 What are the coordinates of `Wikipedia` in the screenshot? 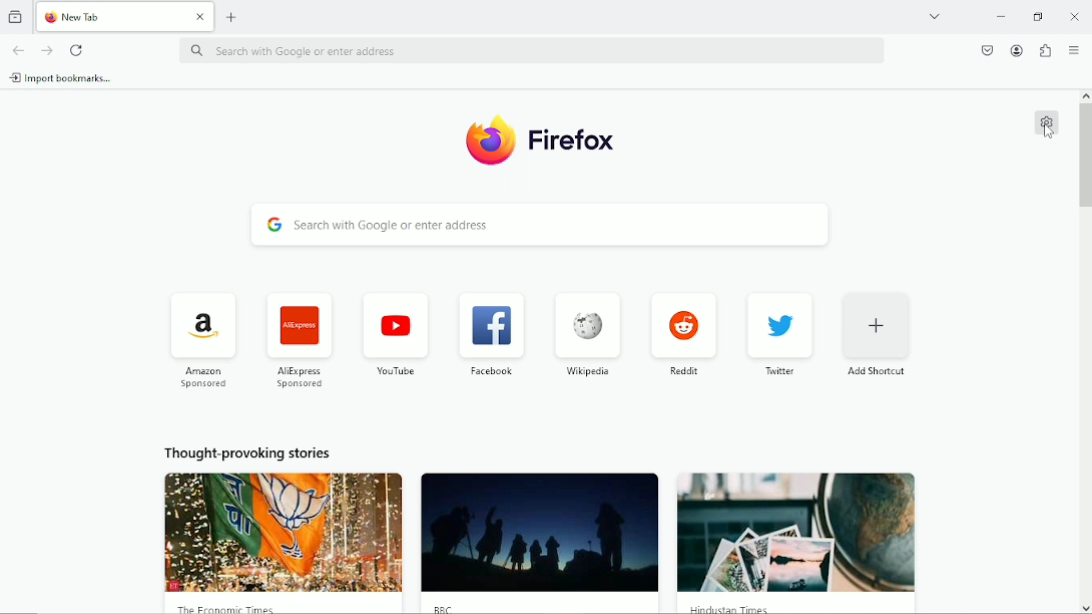 It's located at (585, 333).